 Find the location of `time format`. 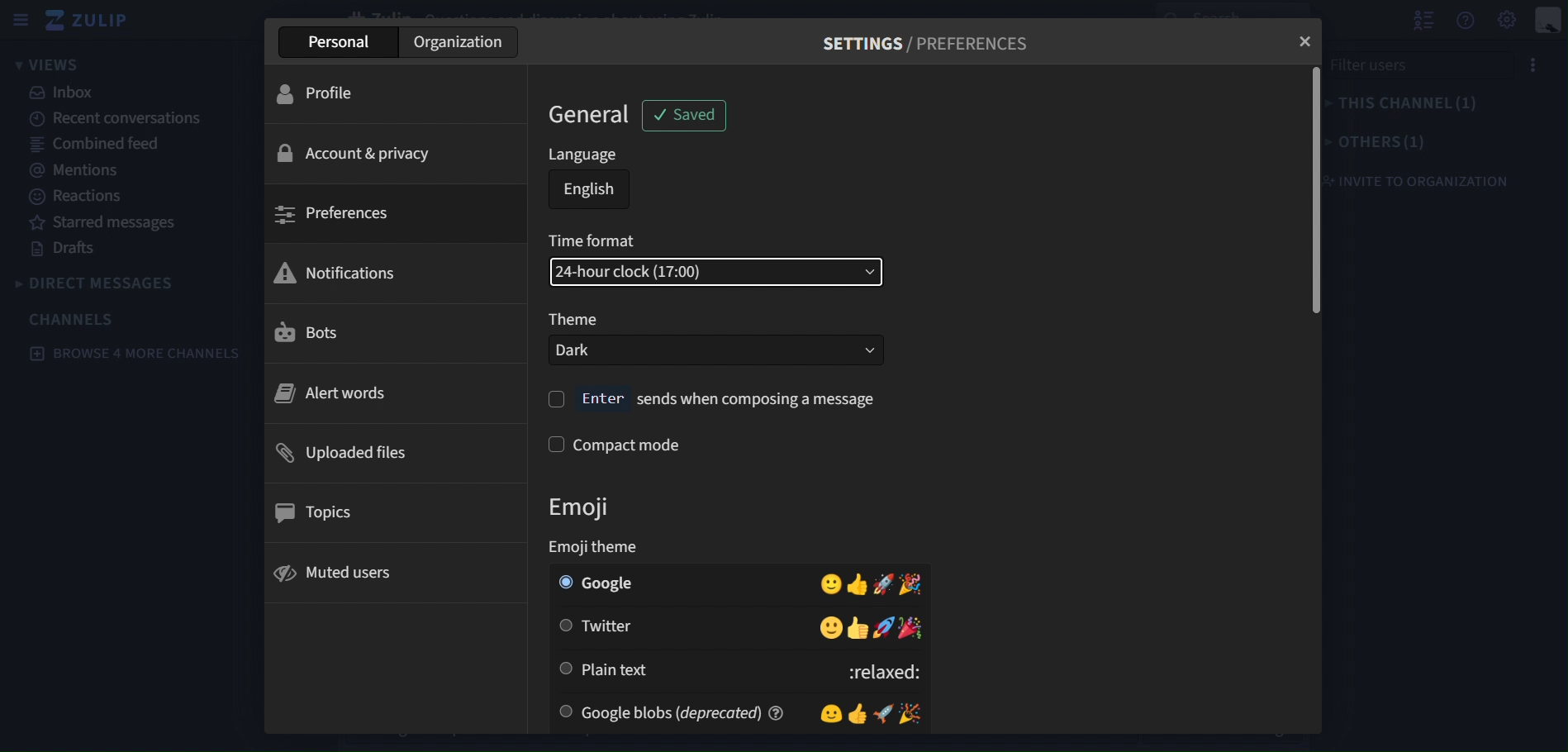

time format is located at coordinates (600, 240).